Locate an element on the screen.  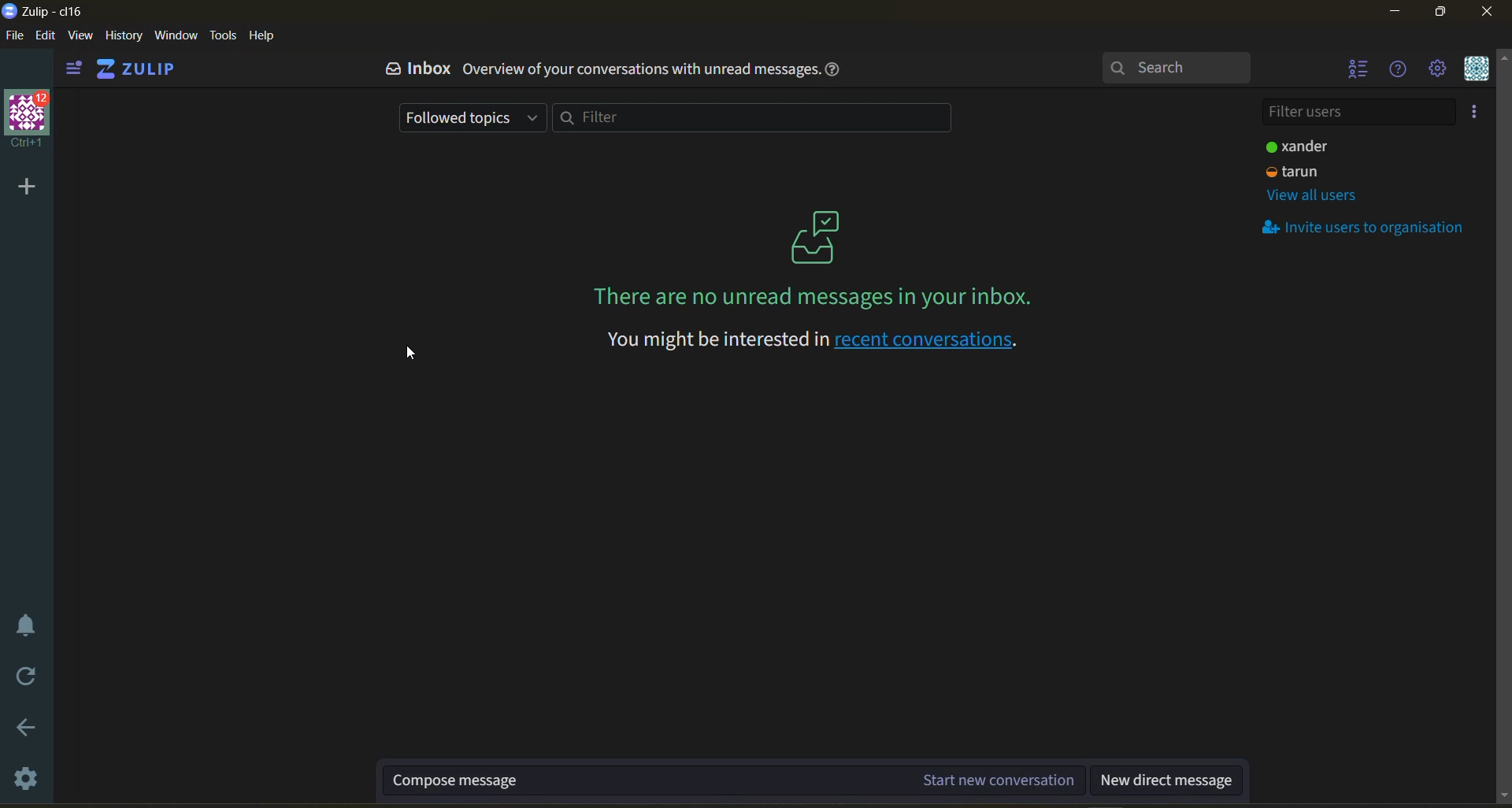
help is located at coordinates (834, 72).